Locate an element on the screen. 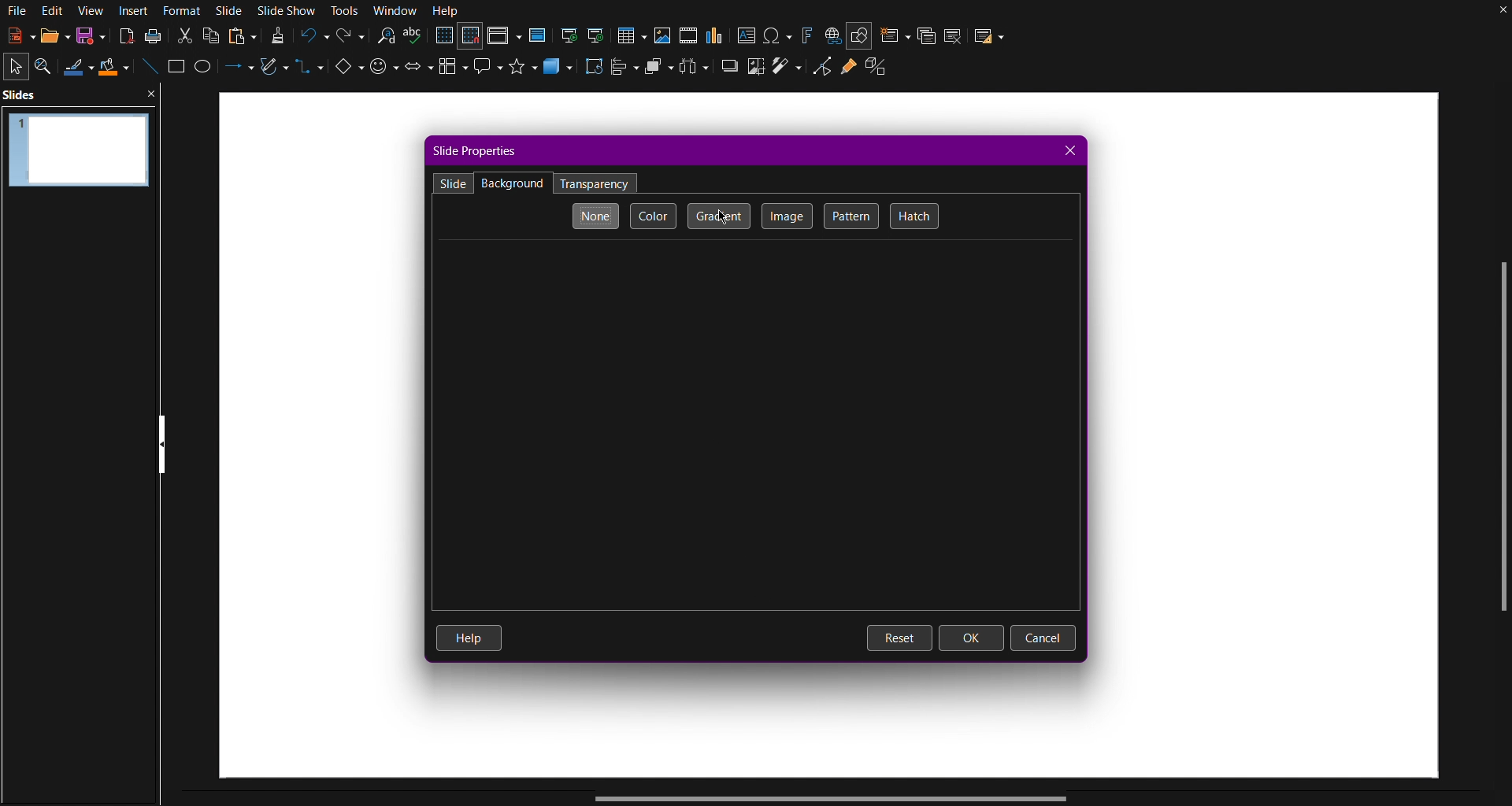 This screenshot has height=806, width=1512. New is located at coordinates (16, 37).